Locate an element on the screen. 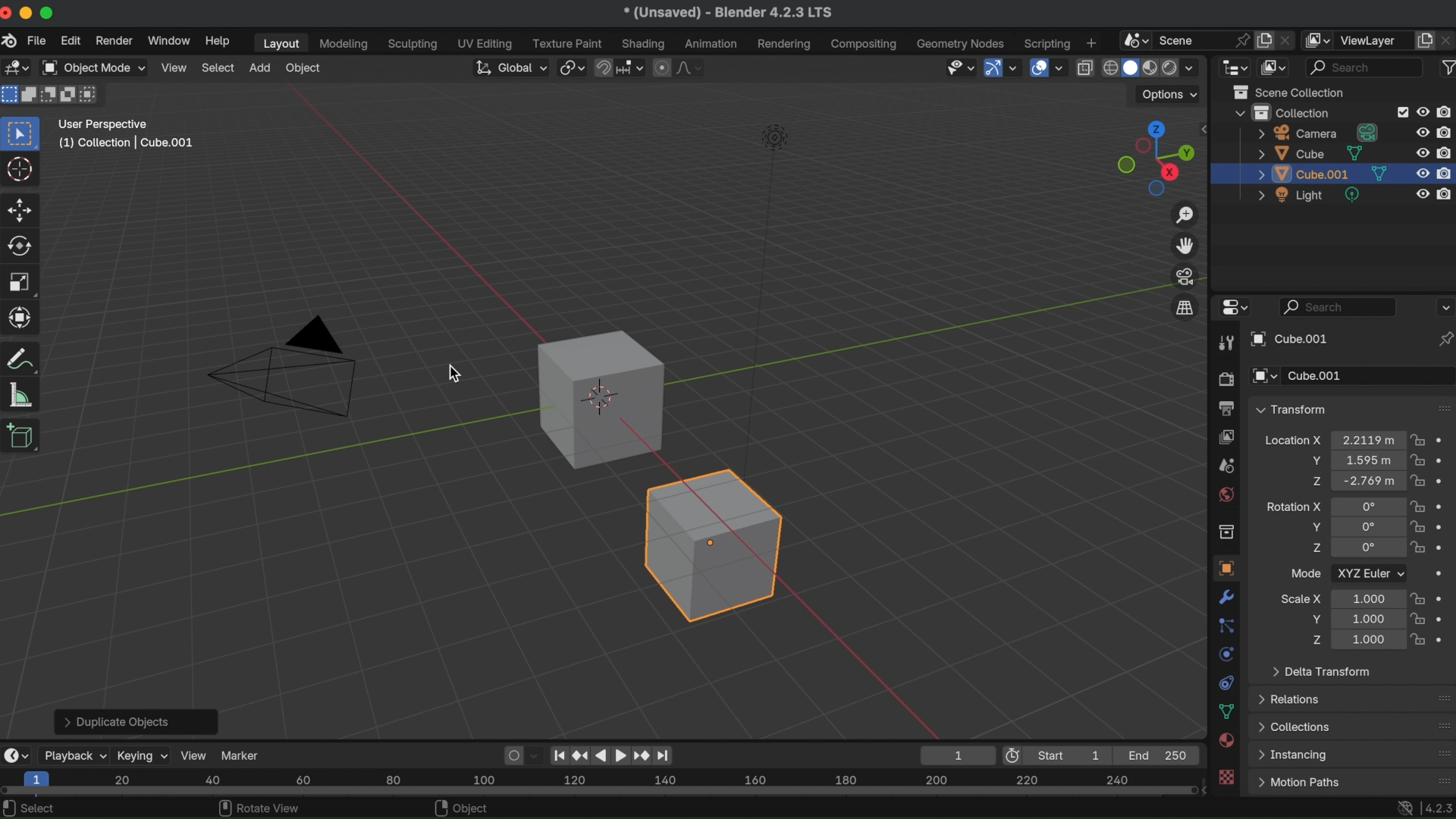 The width and height of the screenshot is (1456, 819). selectability & visibility is located at coordinates (959, 67).